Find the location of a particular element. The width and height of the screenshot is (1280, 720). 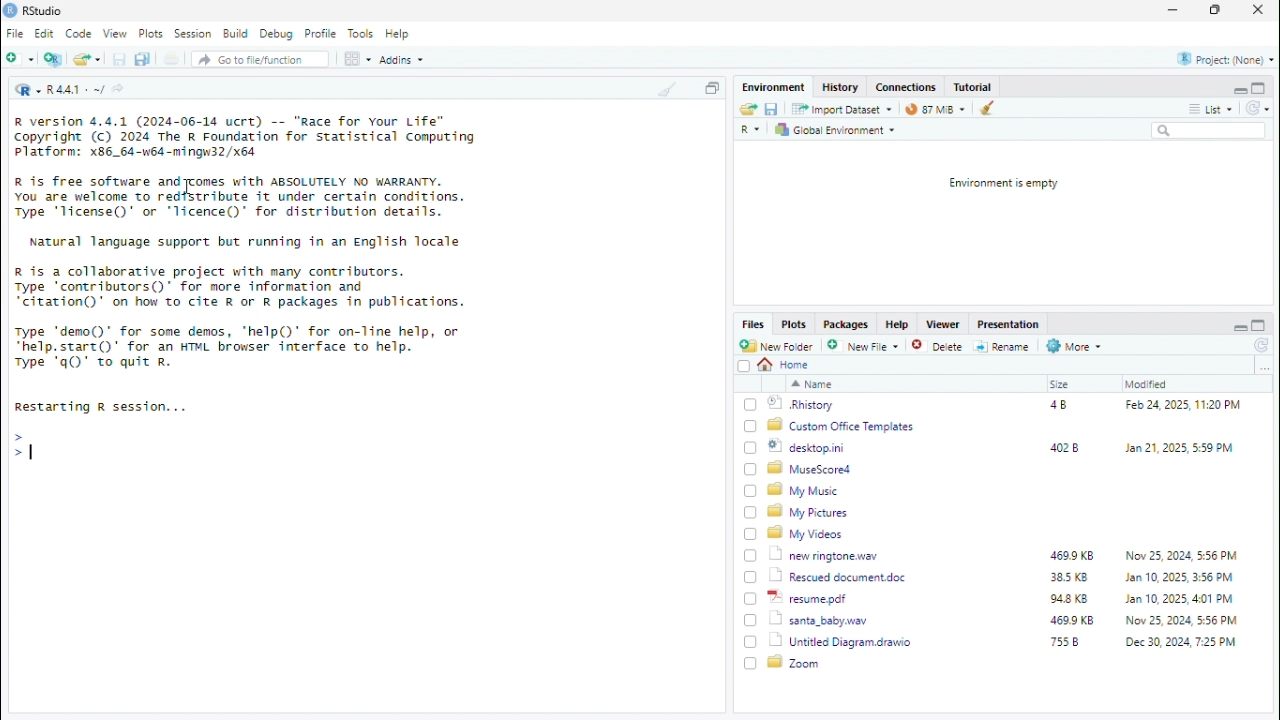

Enviornment is located at coordinates (775, 87).